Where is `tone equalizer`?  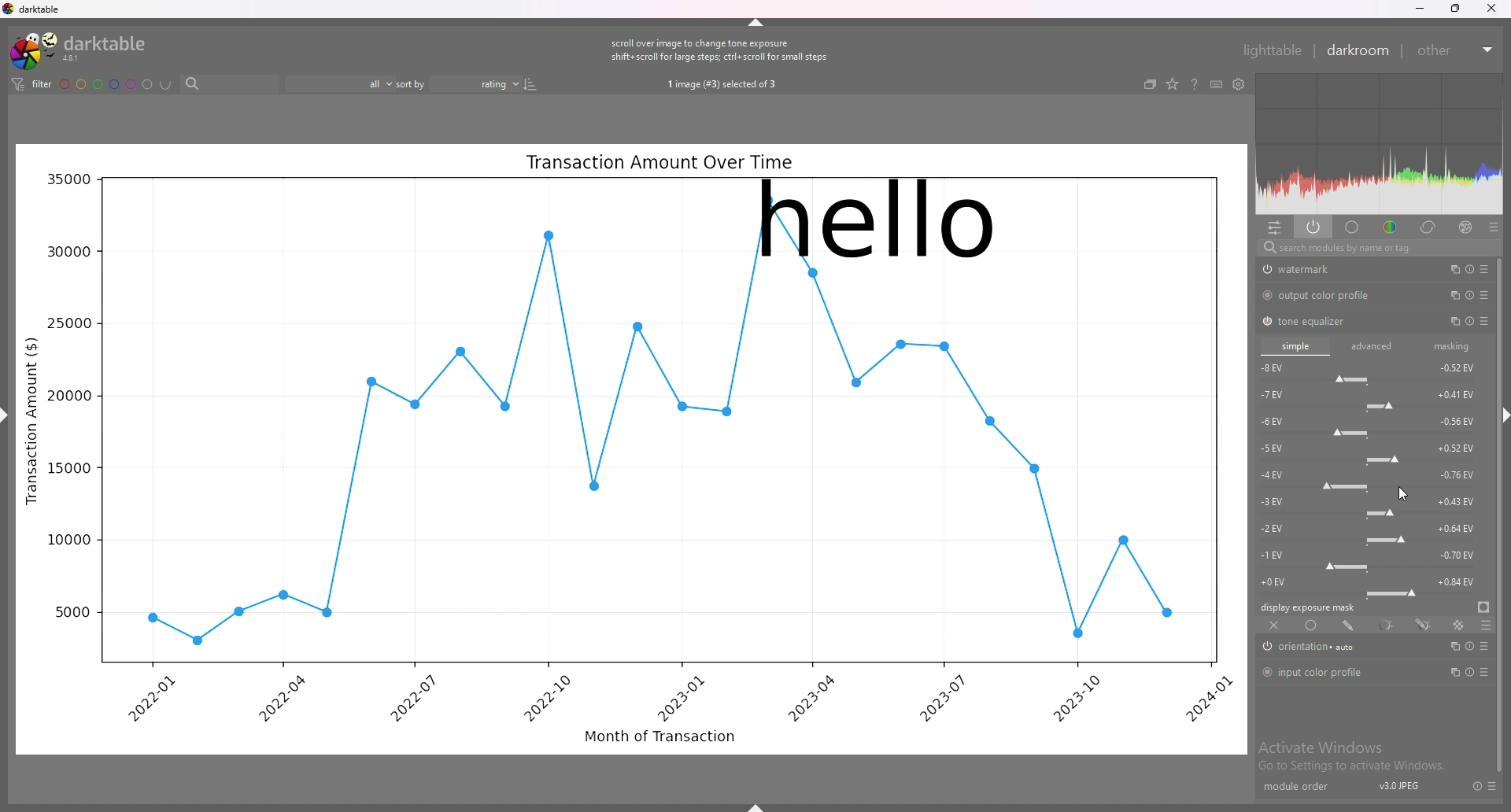
tone equalizer is located at coordinates (1315, 322).